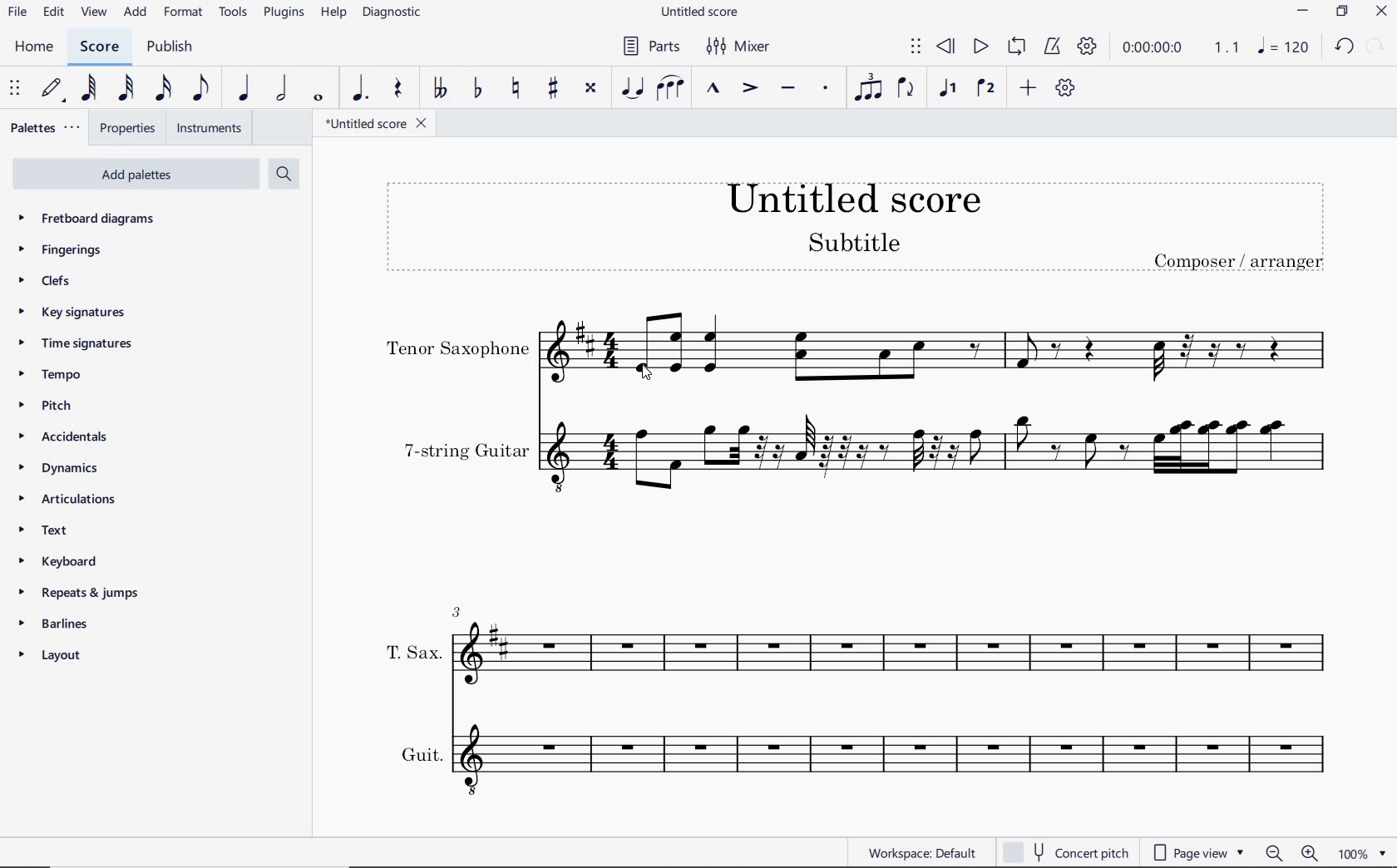 This screenshot has width=1397, height=868. I want to click on METRONOME, so click(1052, 45).